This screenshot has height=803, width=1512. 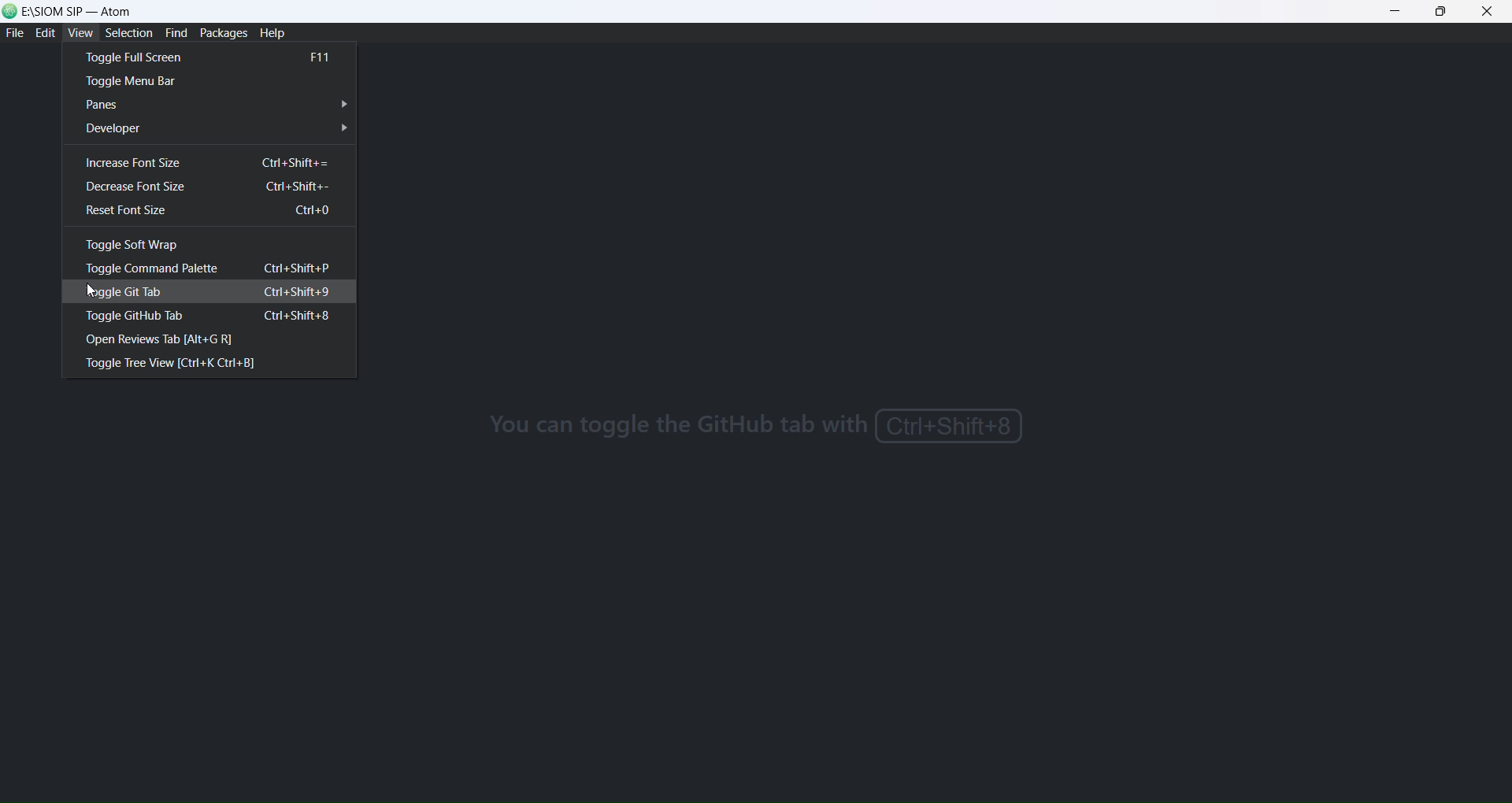 I want to click on cursor, so click(x=91, y=295).